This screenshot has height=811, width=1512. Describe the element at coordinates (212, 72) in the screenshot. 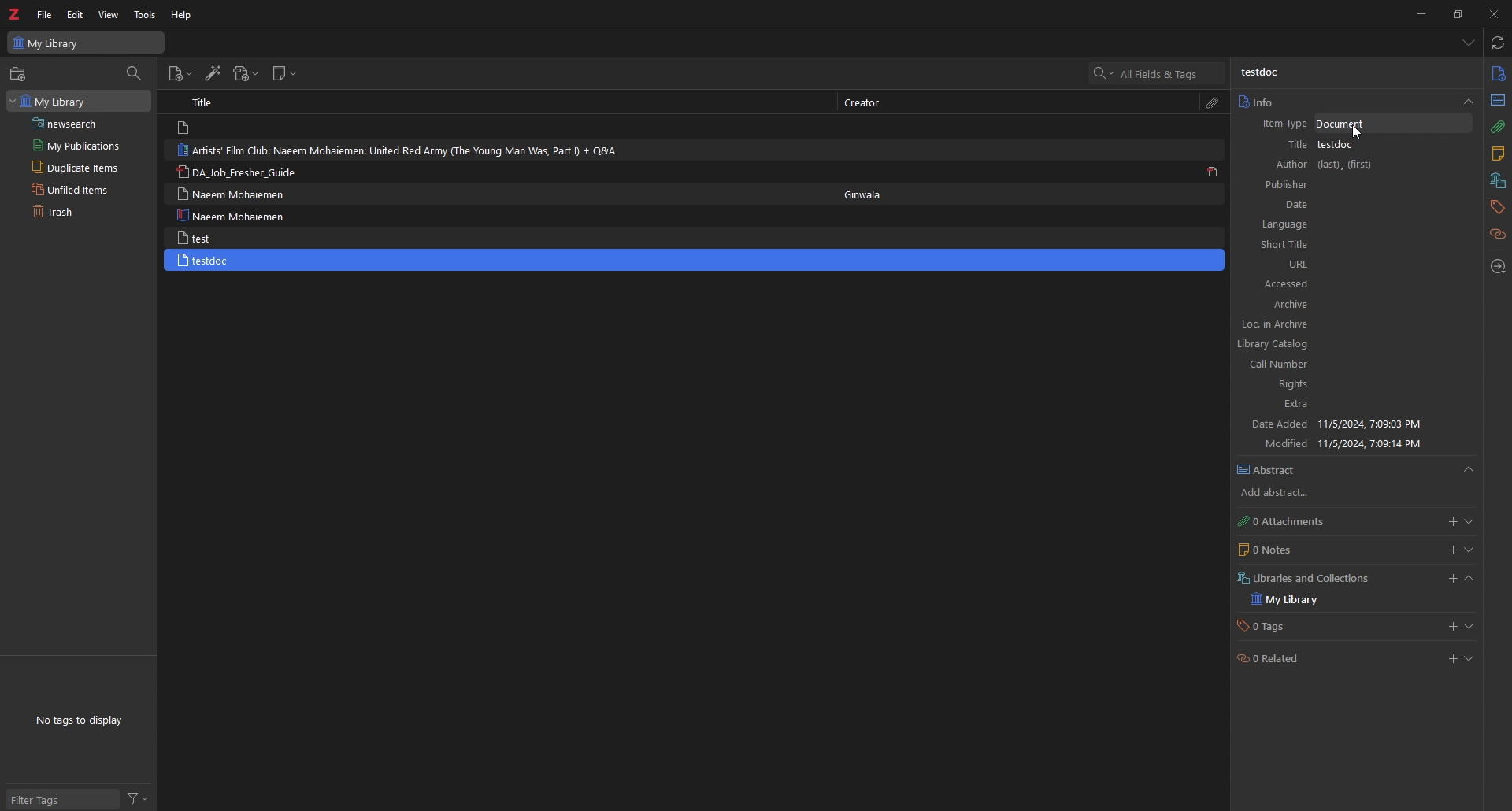

I see `add items by identifier` at that location.